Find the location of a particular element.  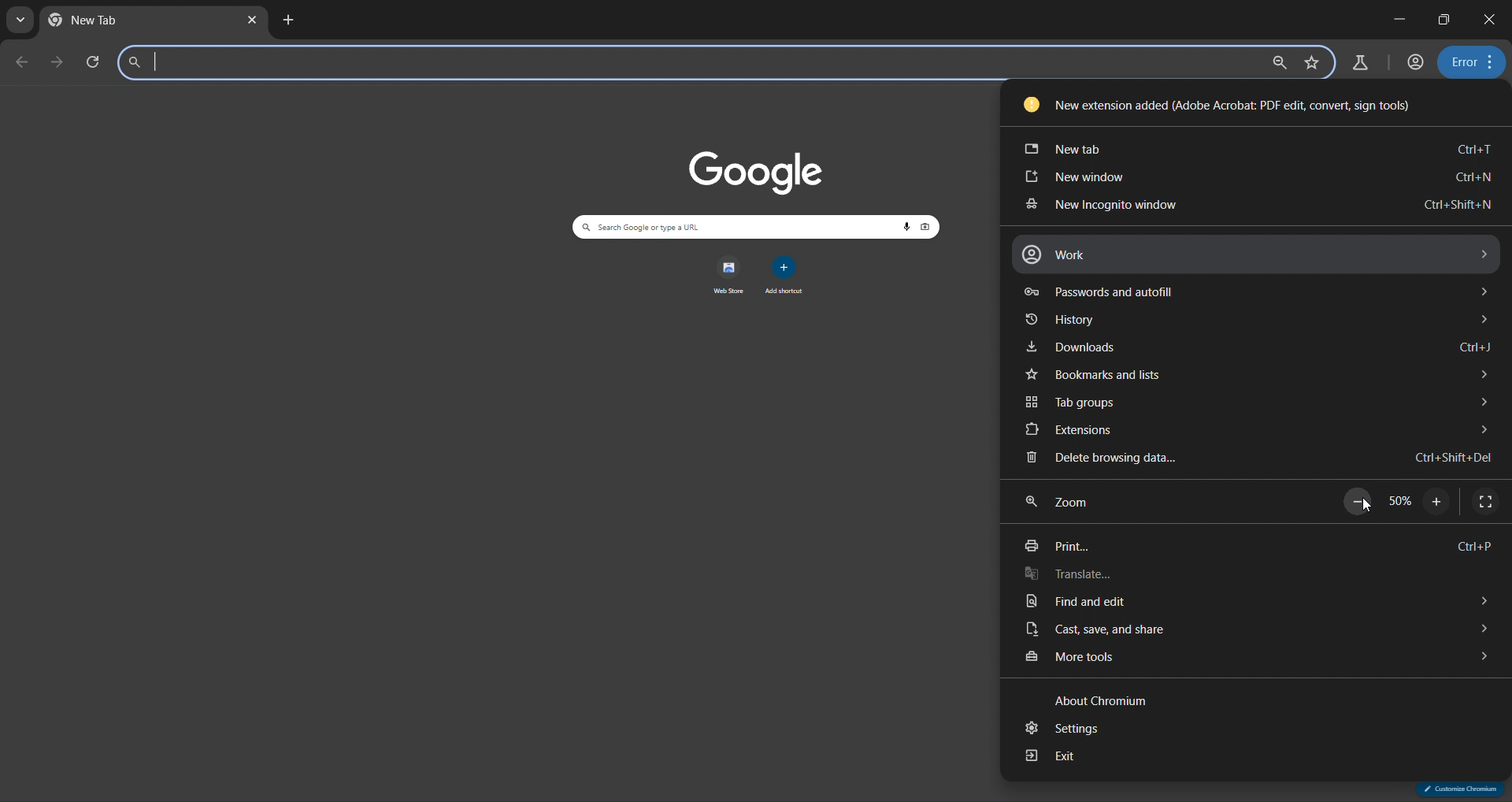

passwords and autofill is located at coordinates (1258, 291).